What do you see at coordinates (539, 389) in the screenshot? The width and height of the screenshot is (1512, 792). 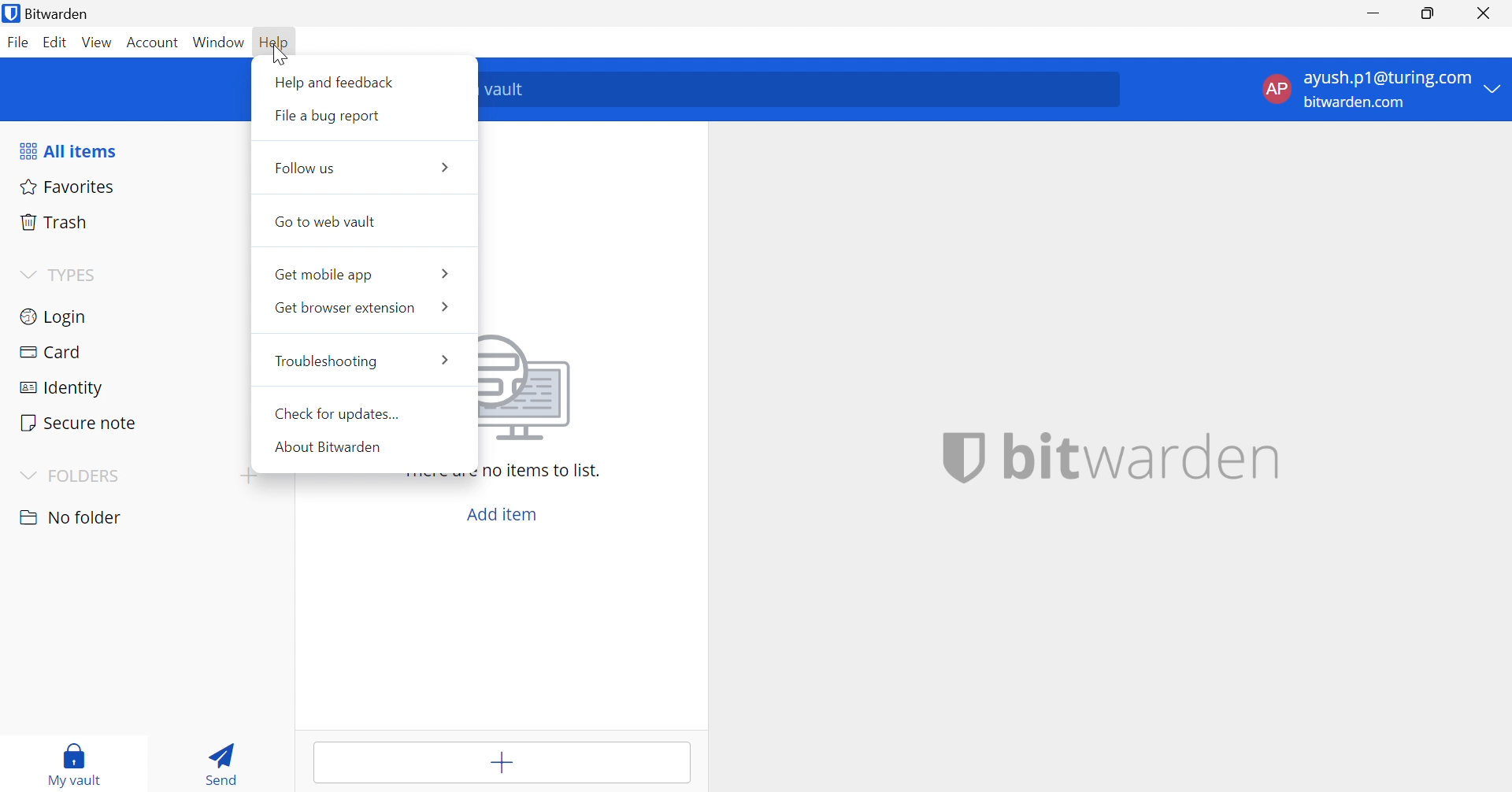 I see `Image` at bounding box center [539, 389].